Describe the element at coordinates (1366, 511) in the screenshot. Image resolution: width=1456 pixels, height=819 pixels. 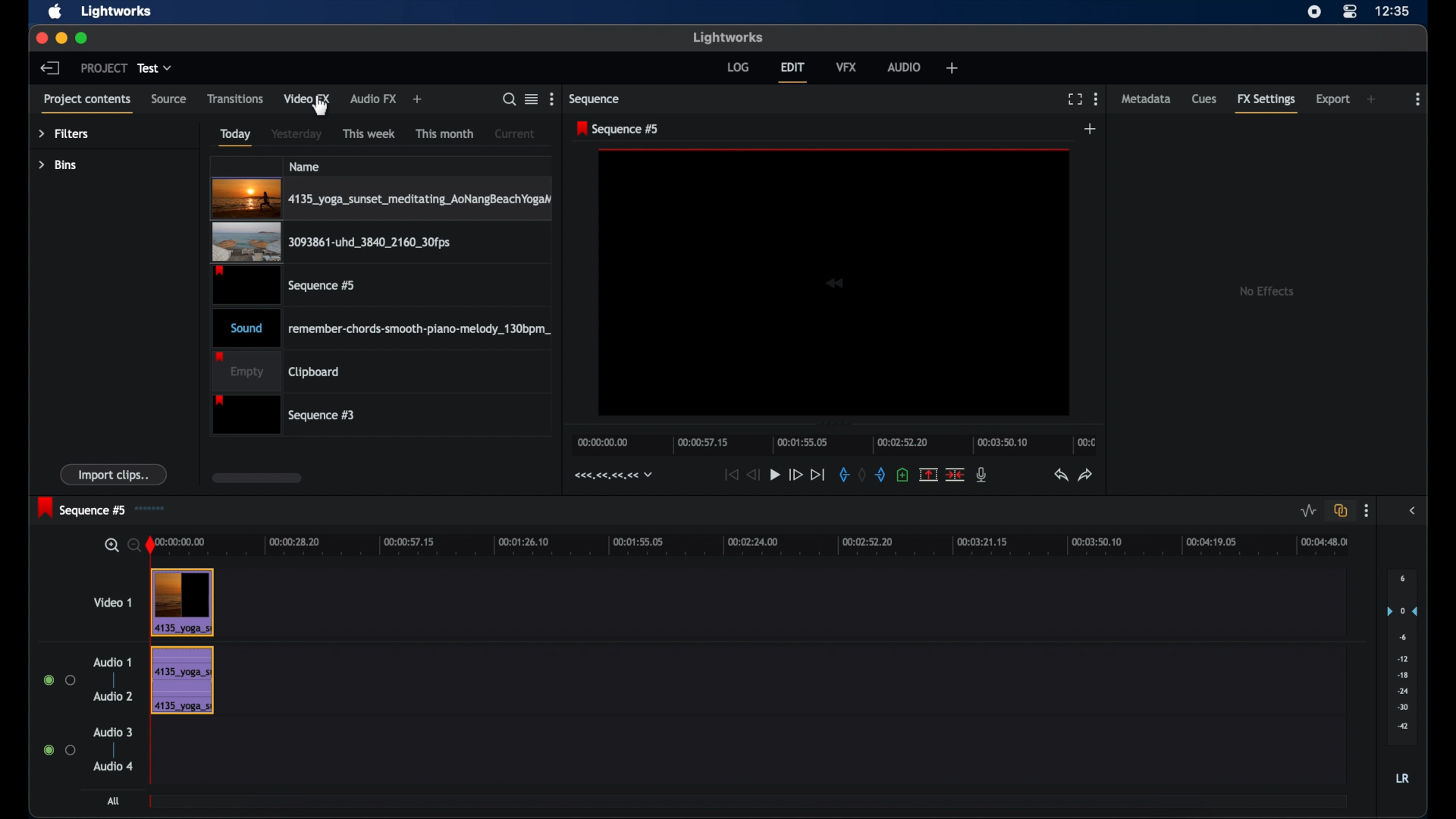
I see `more options` at that location.